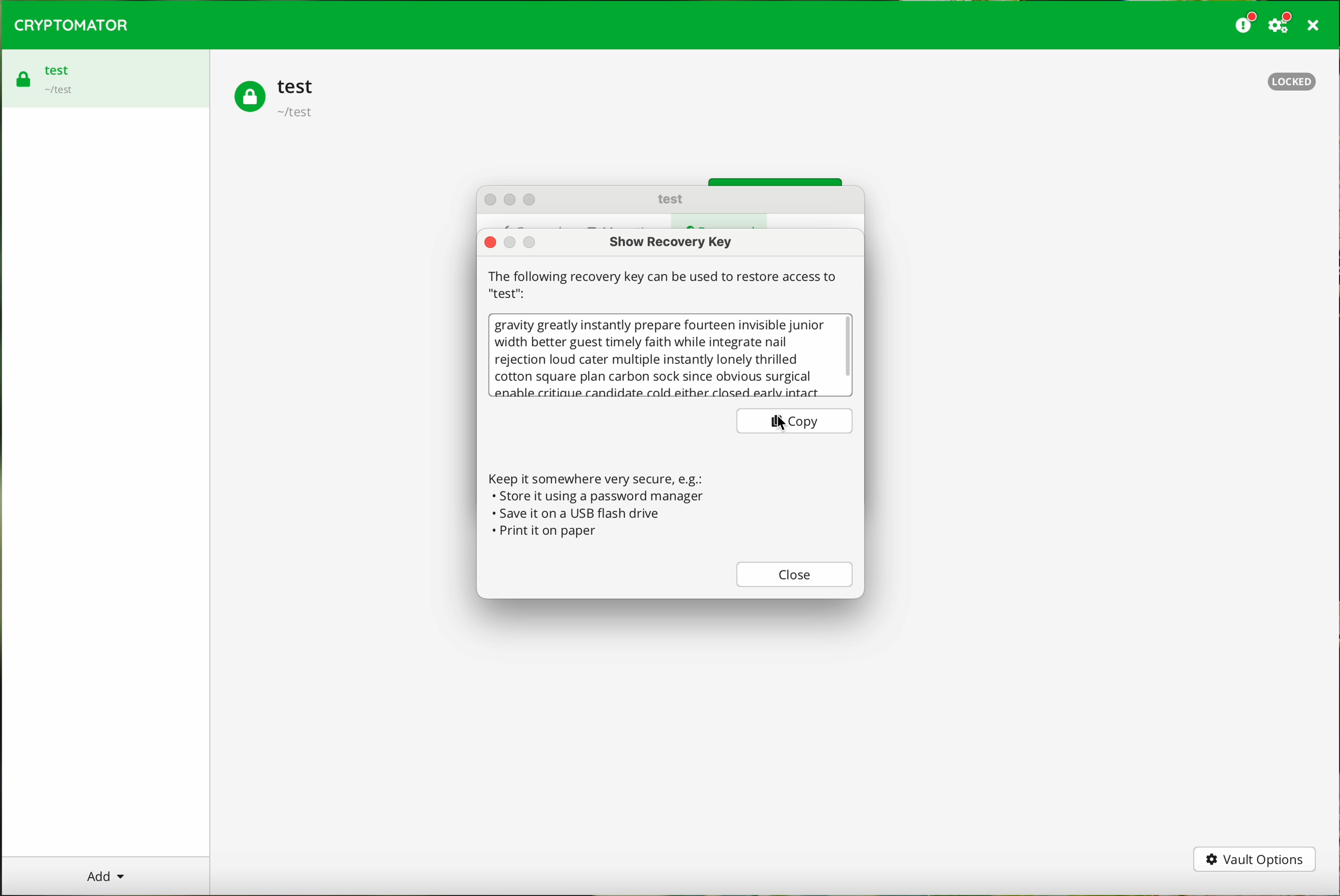  I want to click on locked, so click(1289, 80).